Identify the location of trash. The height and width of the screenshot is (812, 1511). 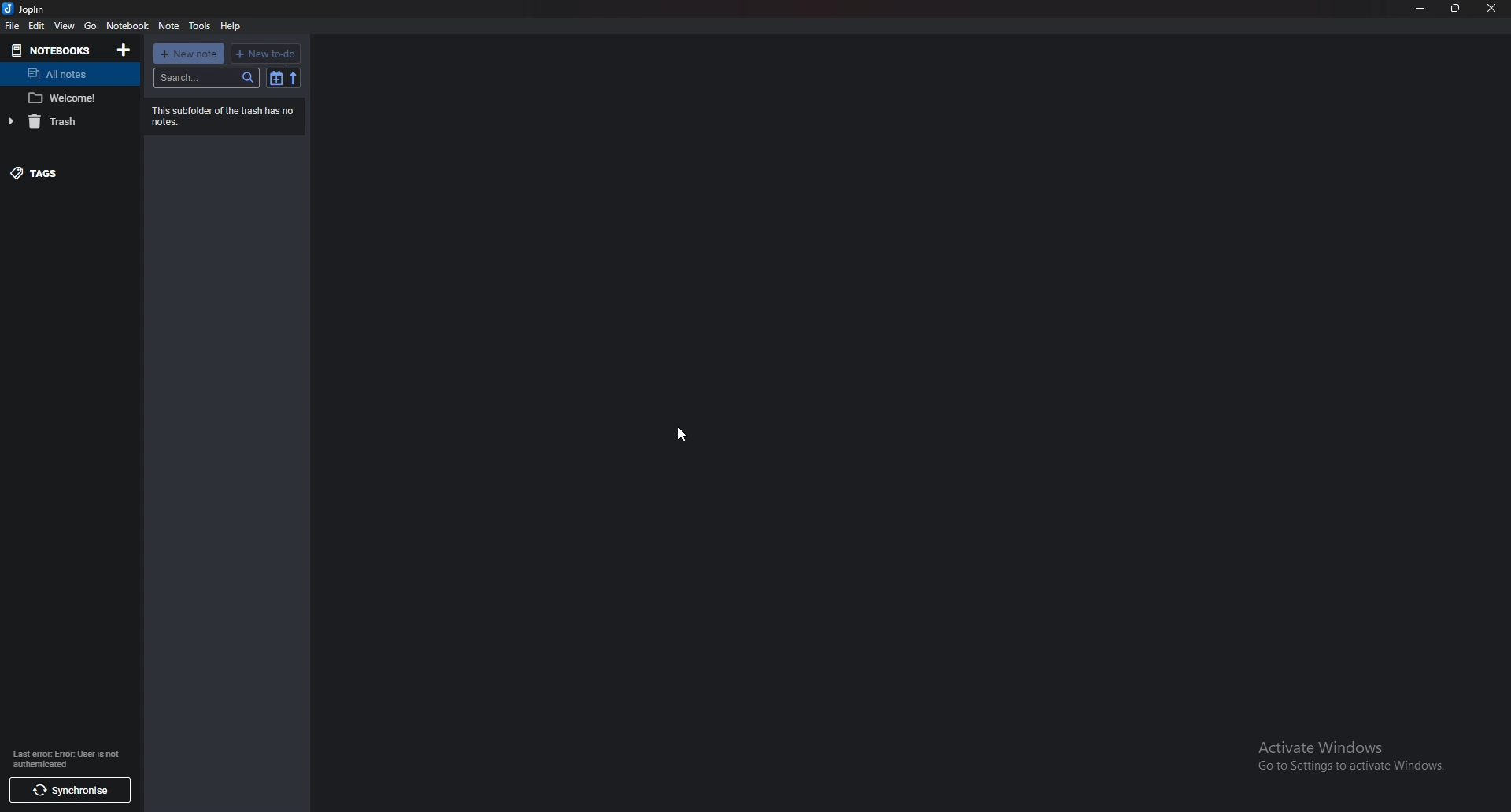
(61, 121).